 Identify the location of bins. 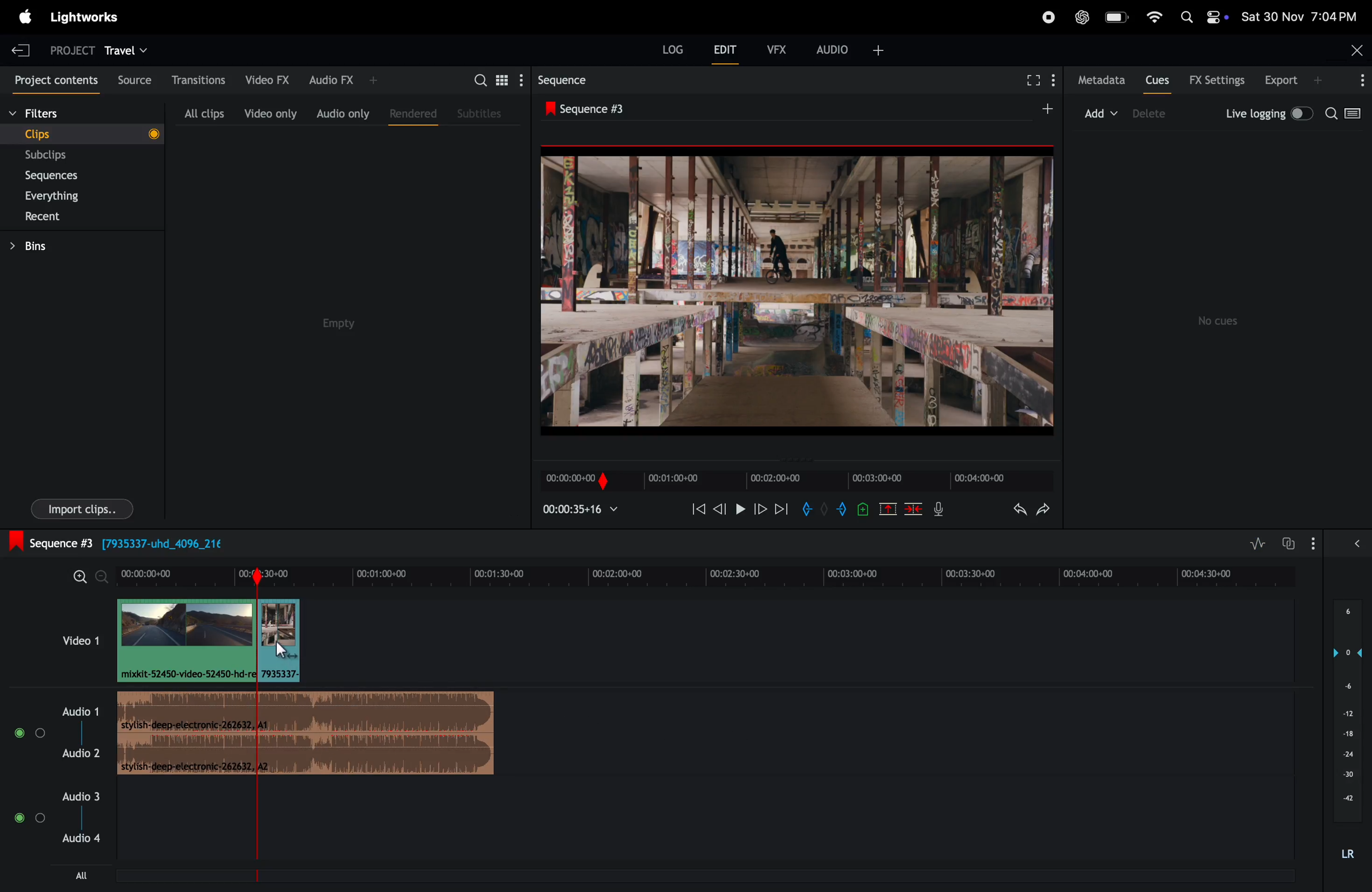
(47, 245).